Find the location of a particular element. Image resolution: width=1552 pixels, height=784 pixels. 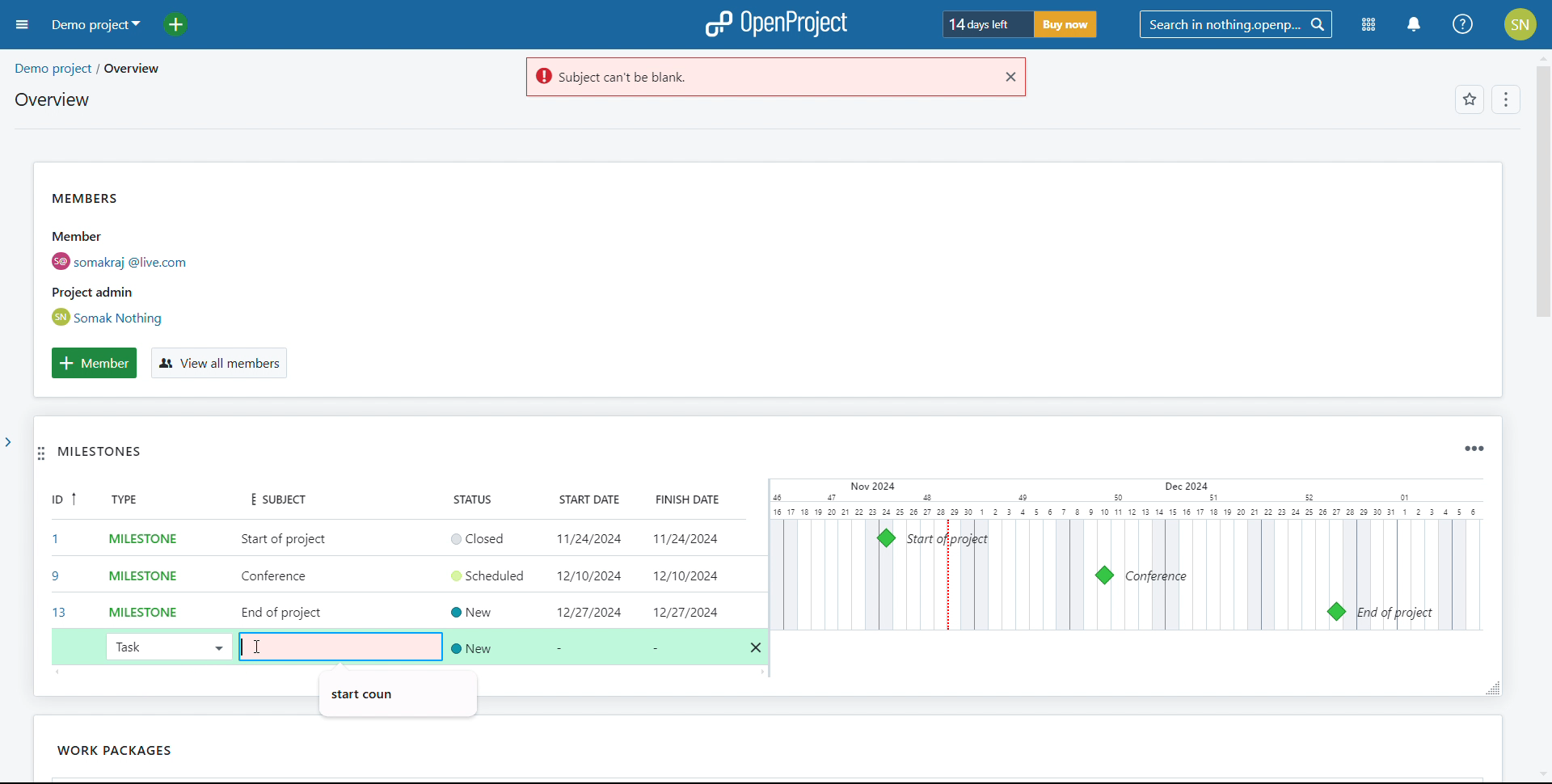

members is located at coordinates (149, 258).